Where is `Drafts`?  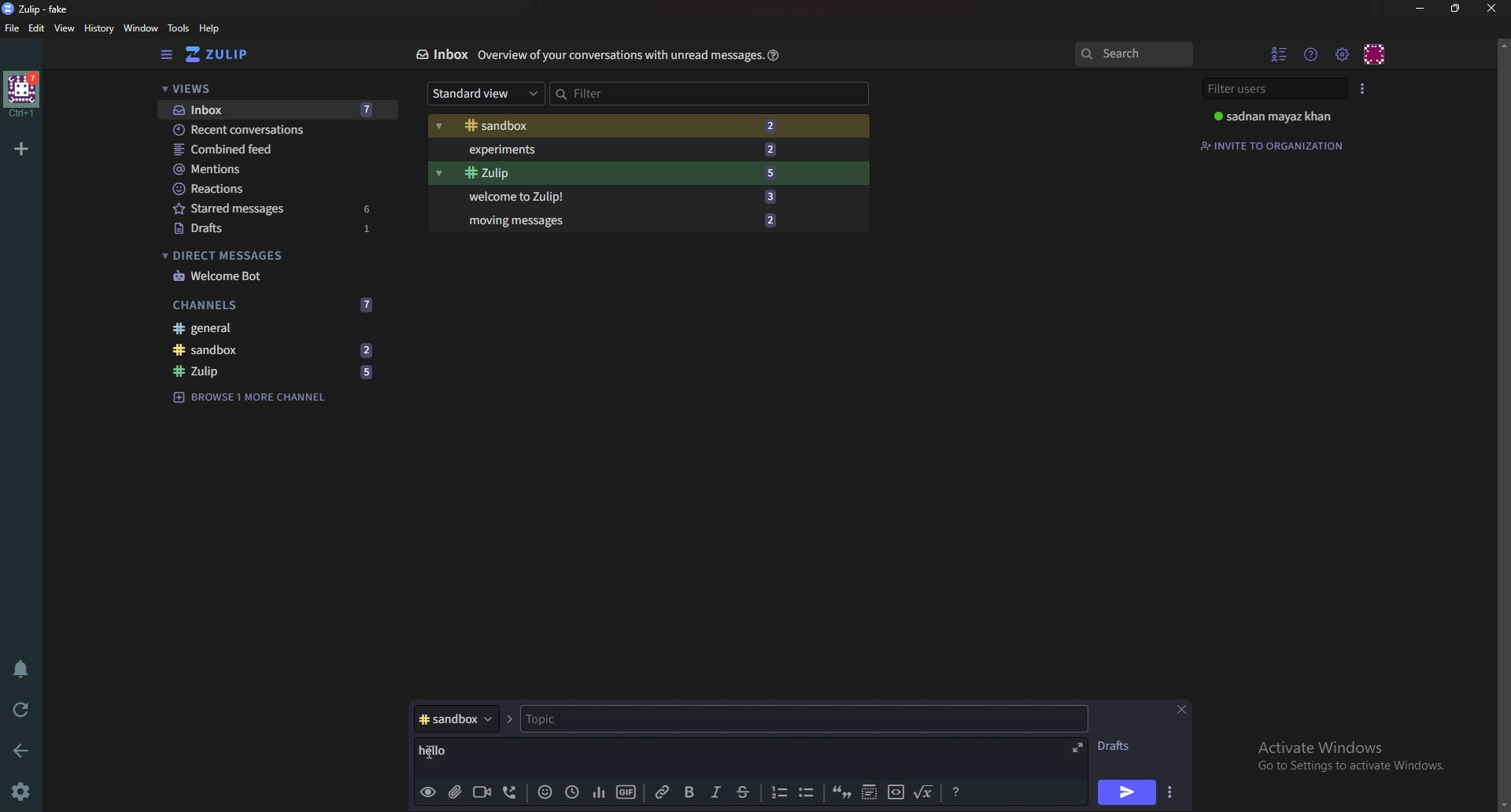 Drafts is located at coordinates (1119, 746).